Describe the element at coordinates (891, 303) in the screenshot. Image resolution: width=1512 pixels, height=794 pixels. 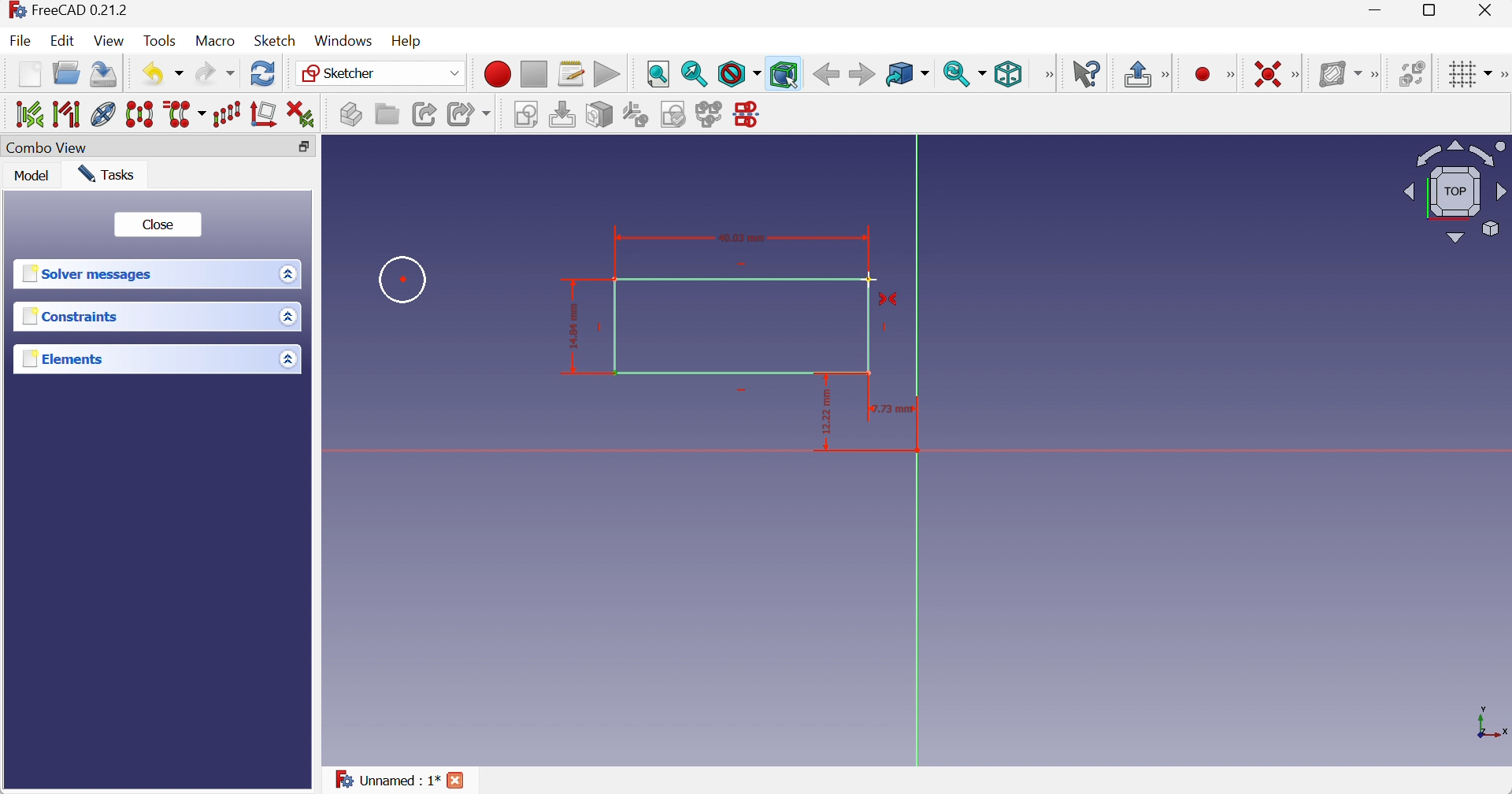
I see `constrain symmetrical` at that location.